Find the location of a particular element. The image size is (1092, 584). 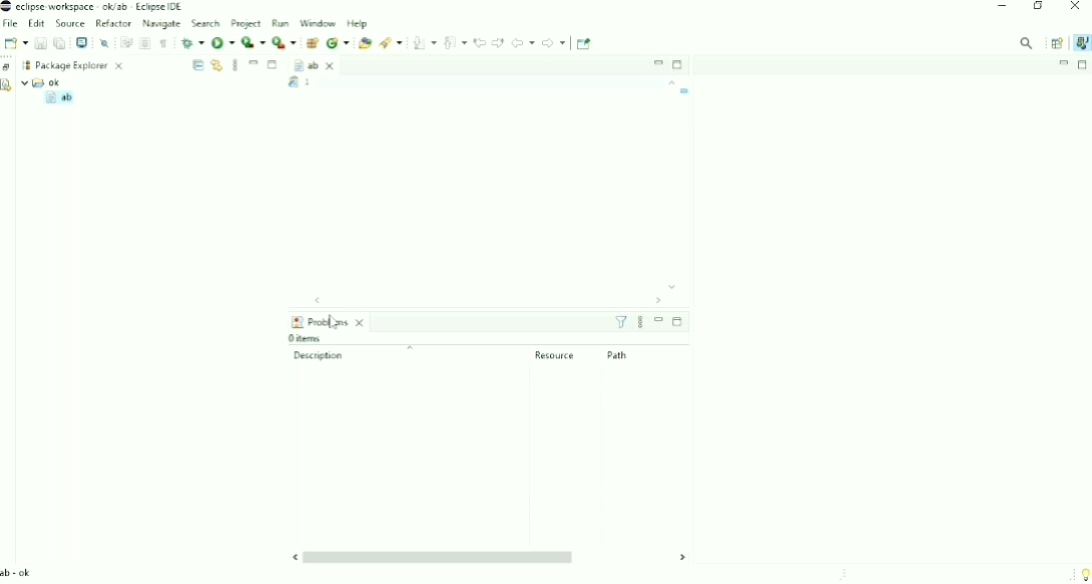

Horizontal scrollbar is located at coordinates (488, 557).